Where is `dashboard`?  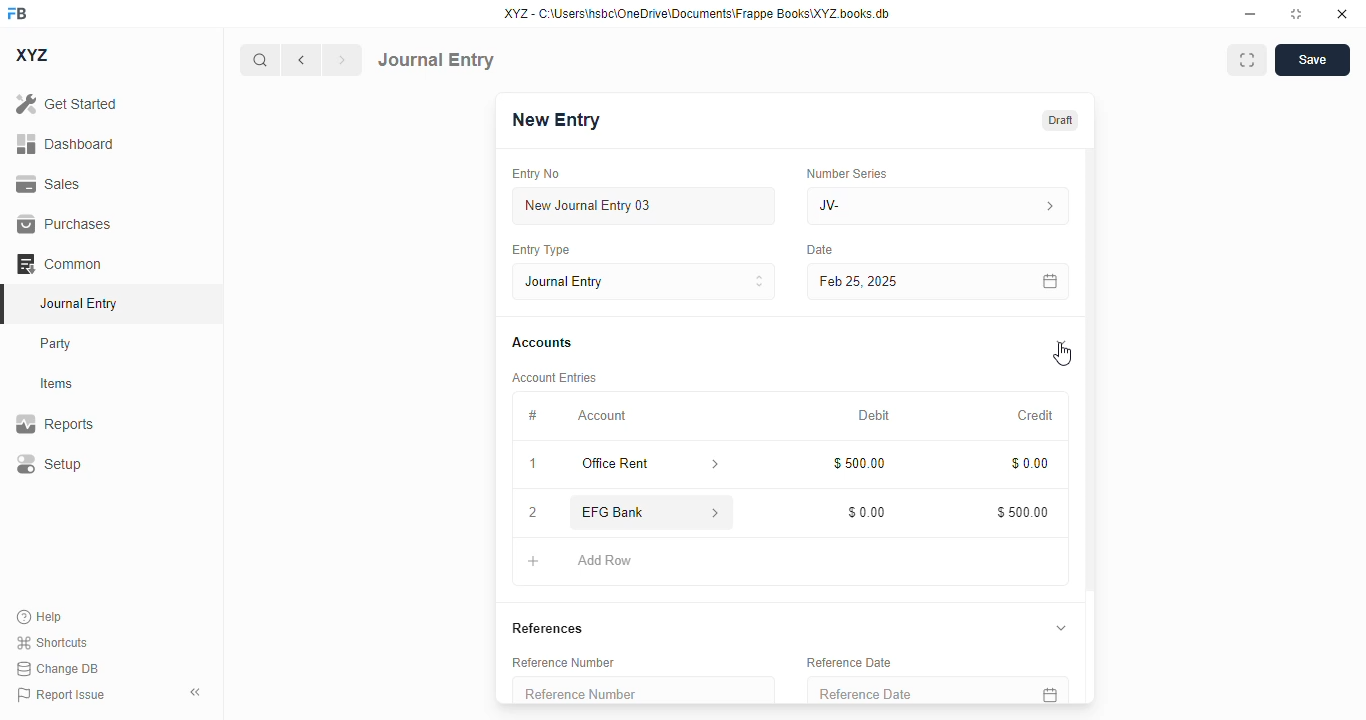 dashboard is located at coordinates (66, 144).